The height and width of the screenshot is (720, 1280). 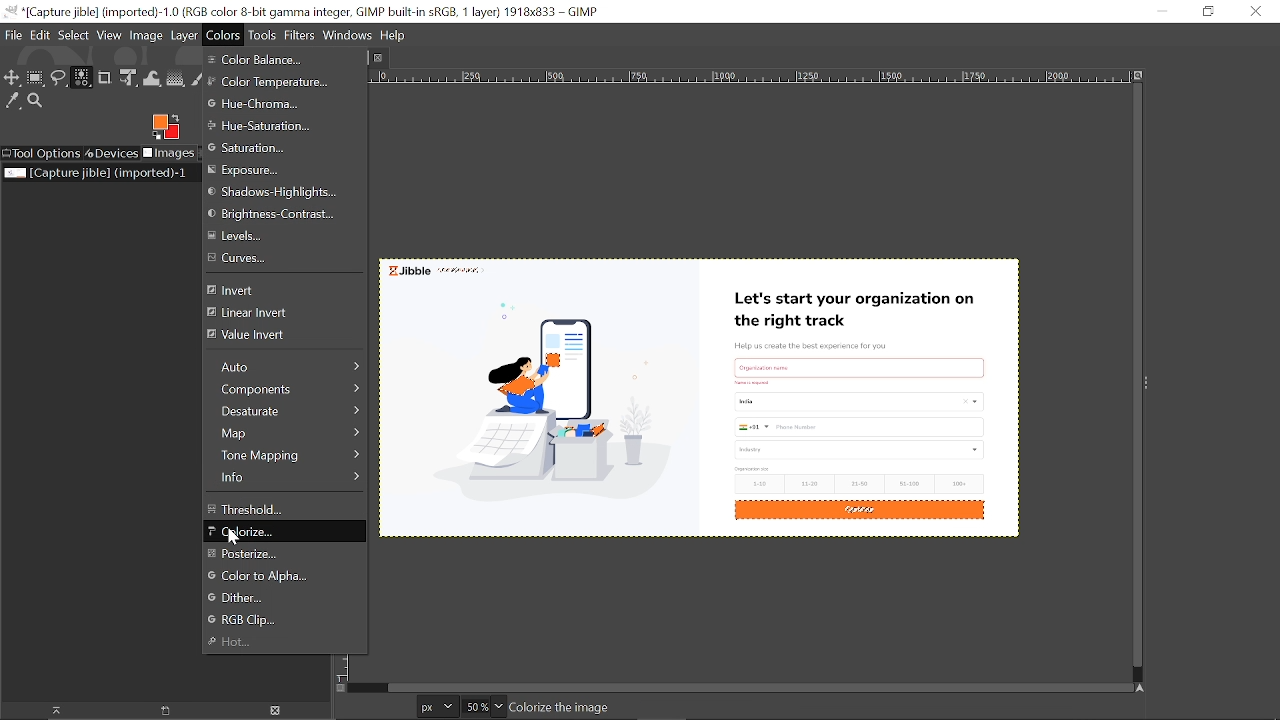 What do you see at coordinates (41, 34) in the screenshot?
I see `Edit` at bounding box center [41, 34].